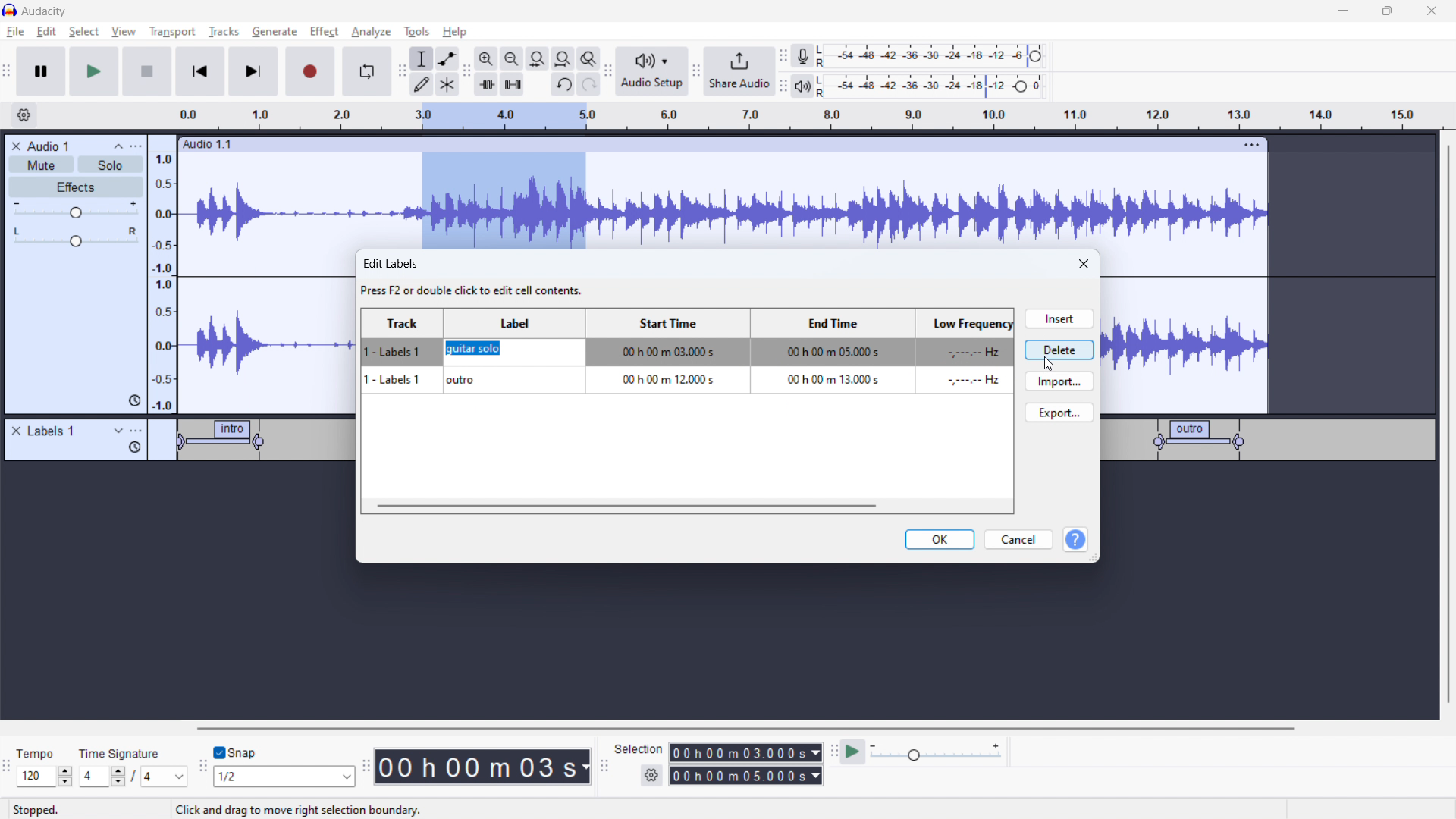 The height and width of the screenshot is (819, 1456). I want to click on recording meter, so click(803, 56).